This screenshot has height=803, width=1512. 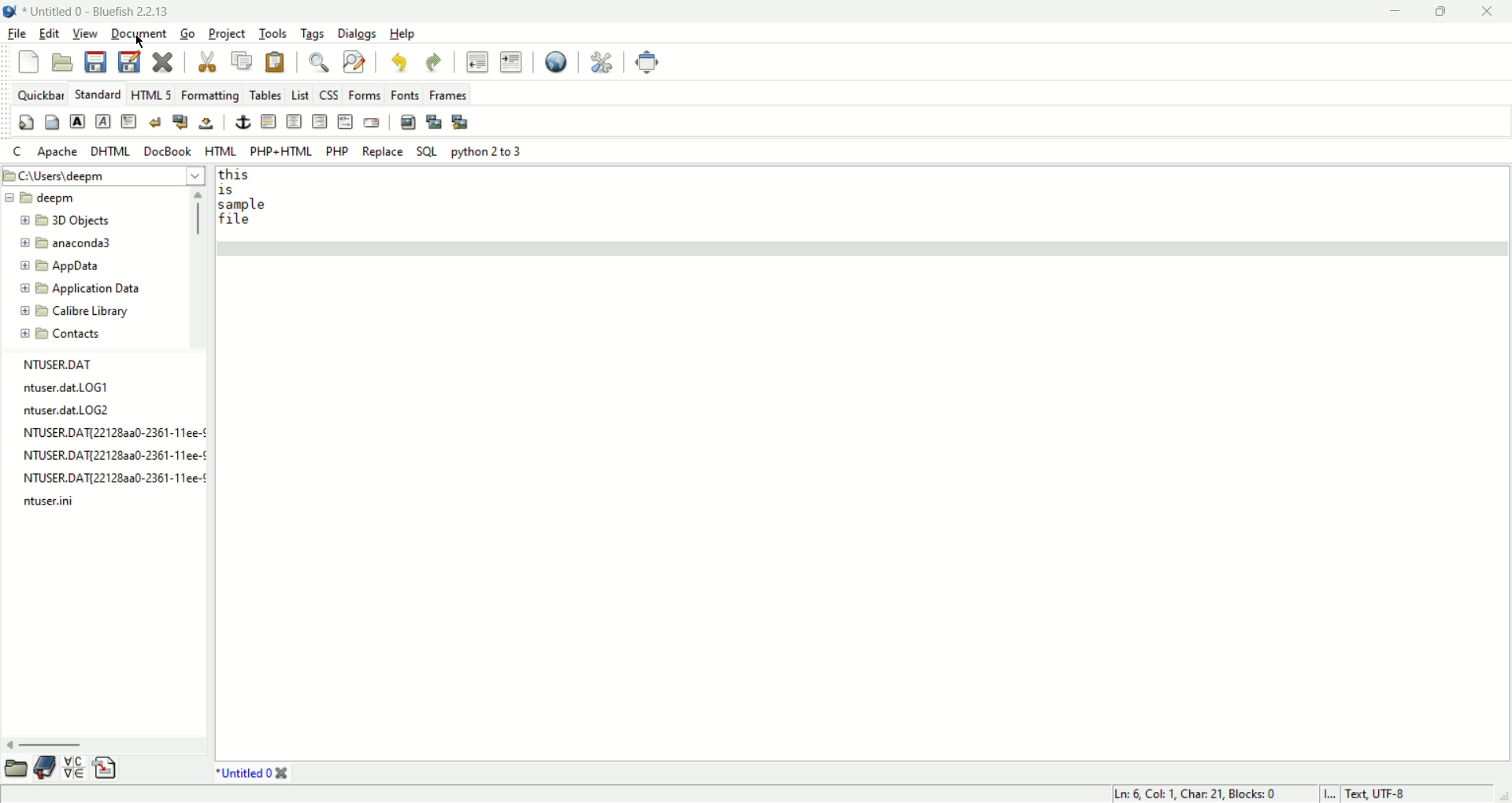 I want to click on charmap, so click(x=72, y=767).